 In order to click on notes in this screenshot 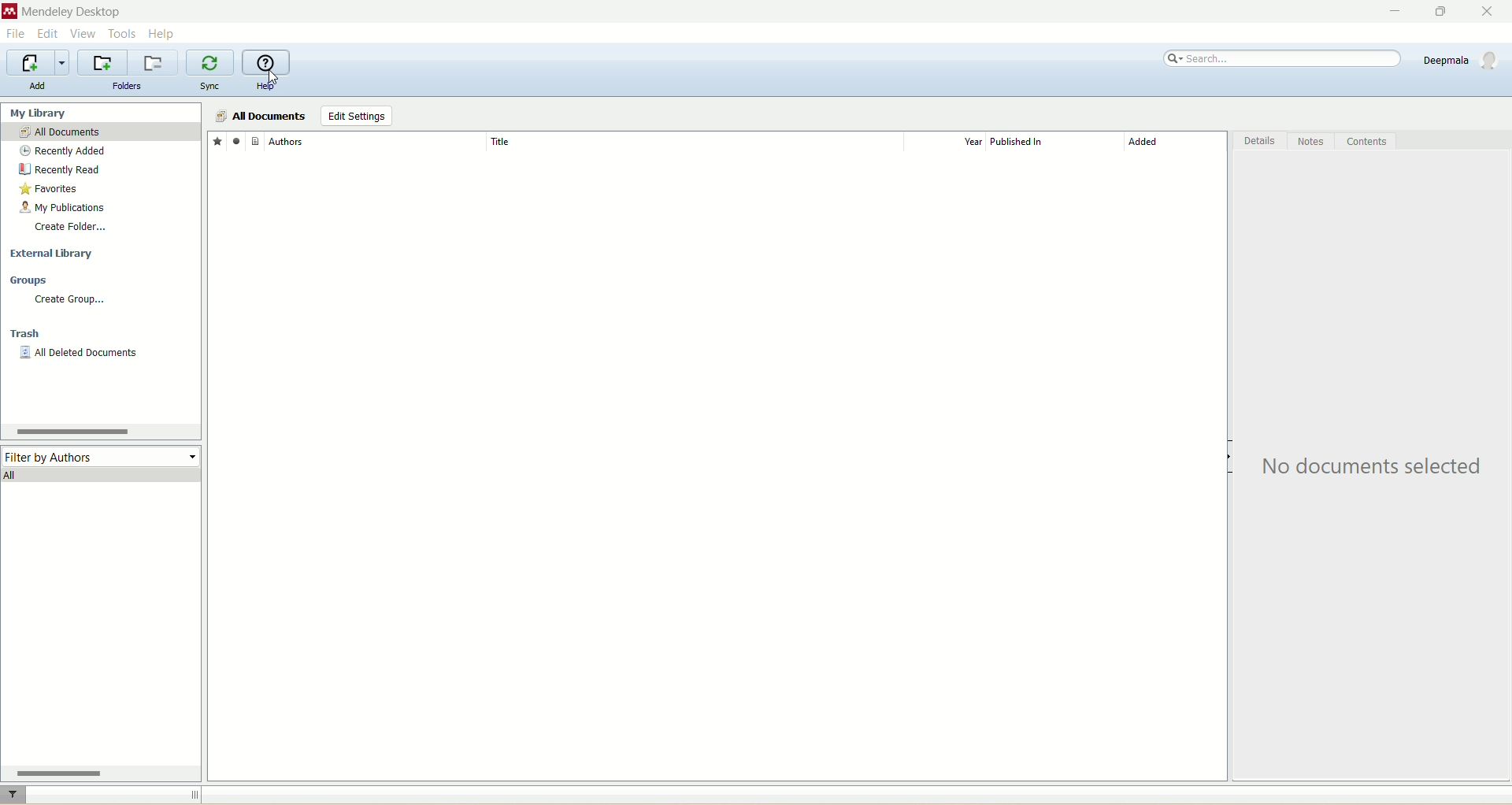, I will do `click(1315, 141)`.